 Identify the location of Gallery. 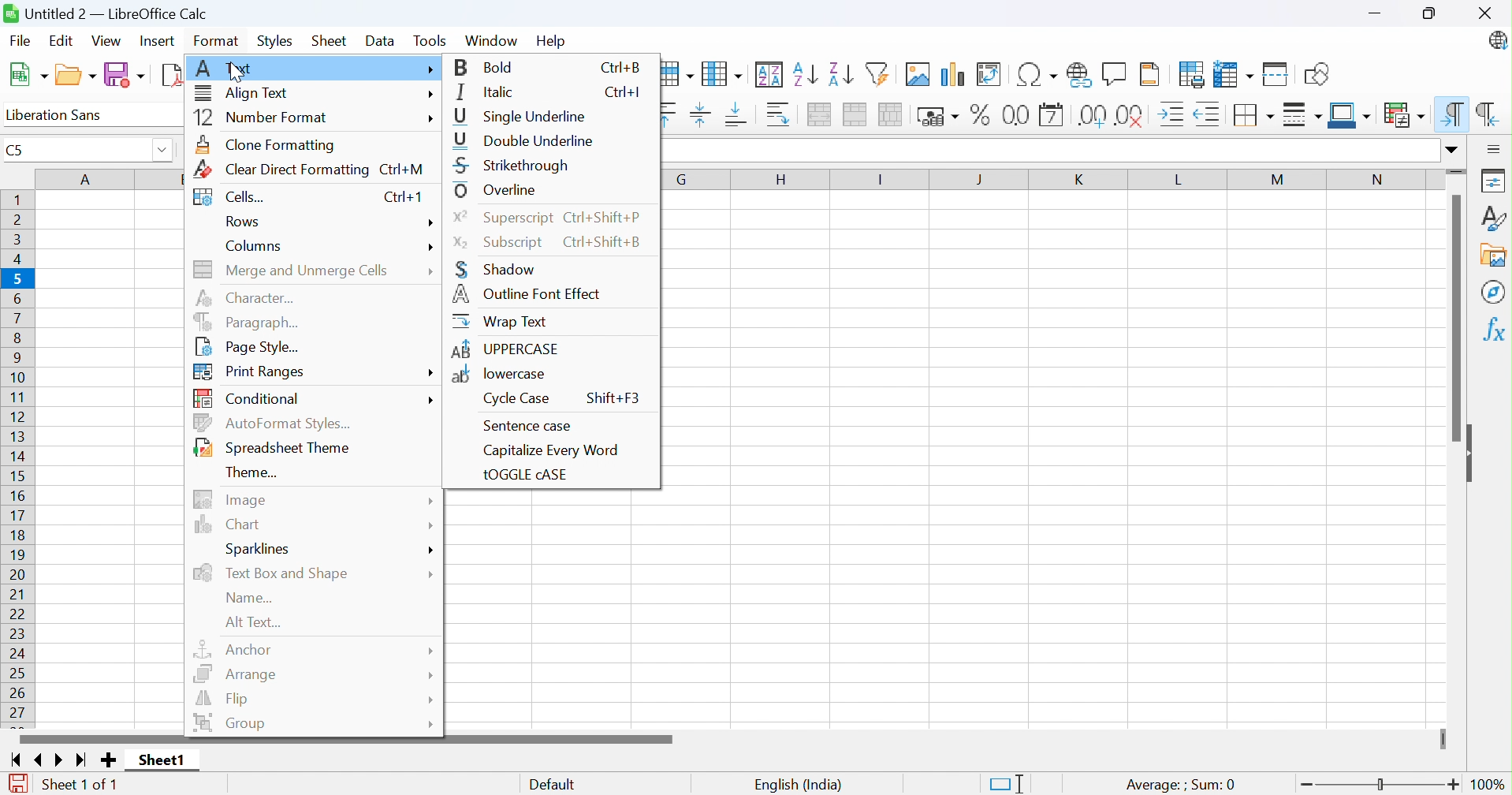
(1495, 256).